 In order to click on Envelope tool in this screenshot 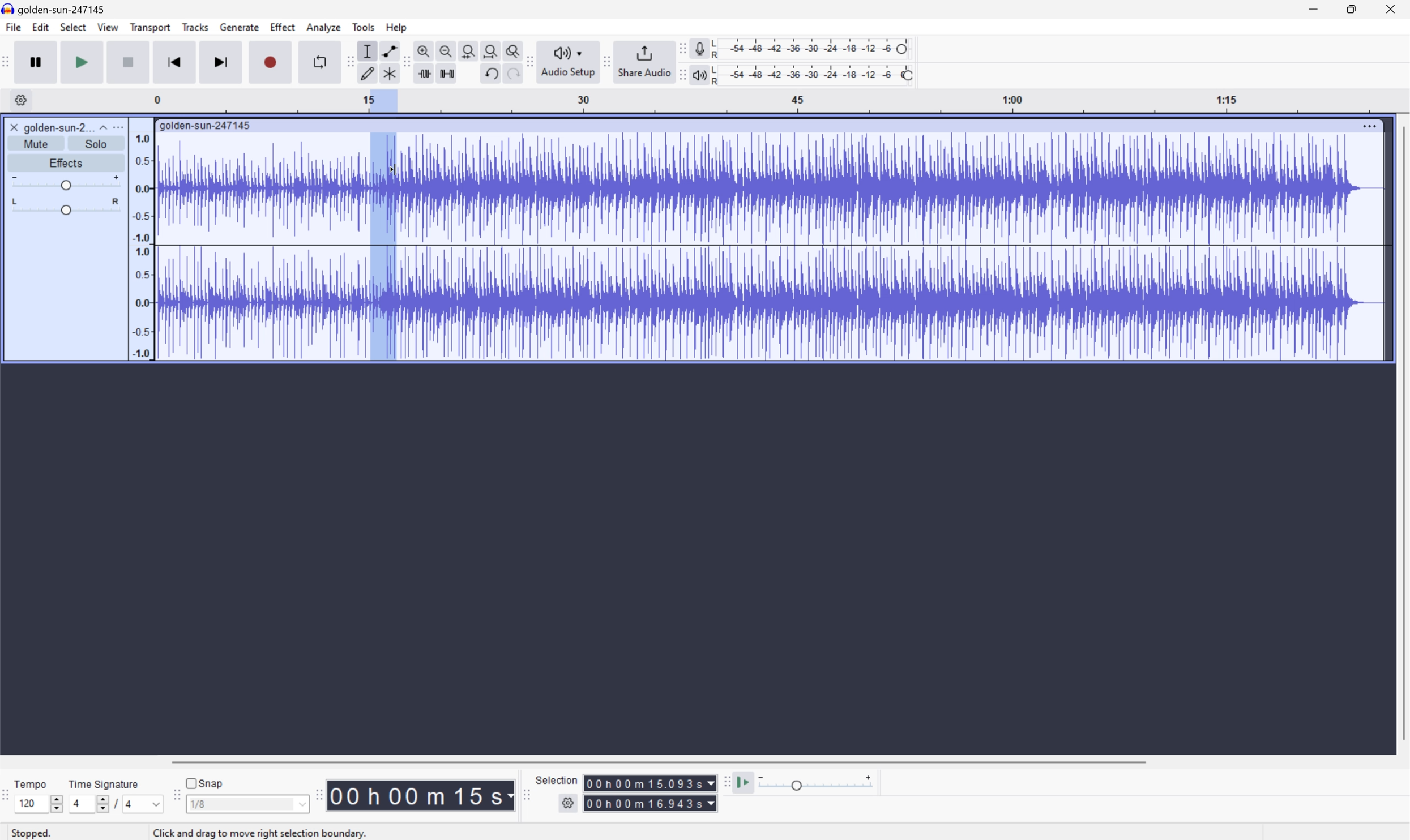, I will do `click(387, 50)`.